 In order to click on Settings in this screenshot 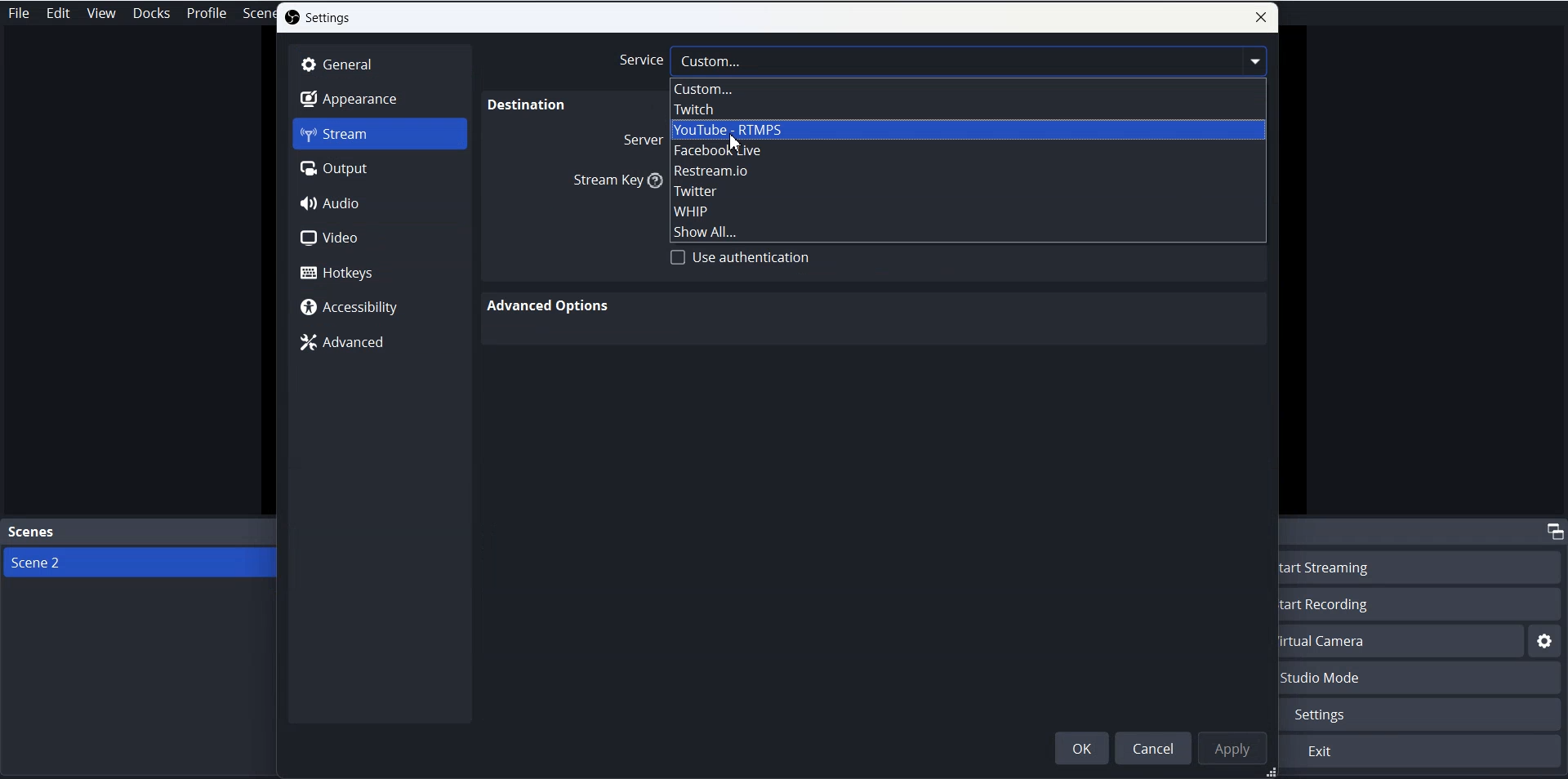, I will do `click(318, 17)`.